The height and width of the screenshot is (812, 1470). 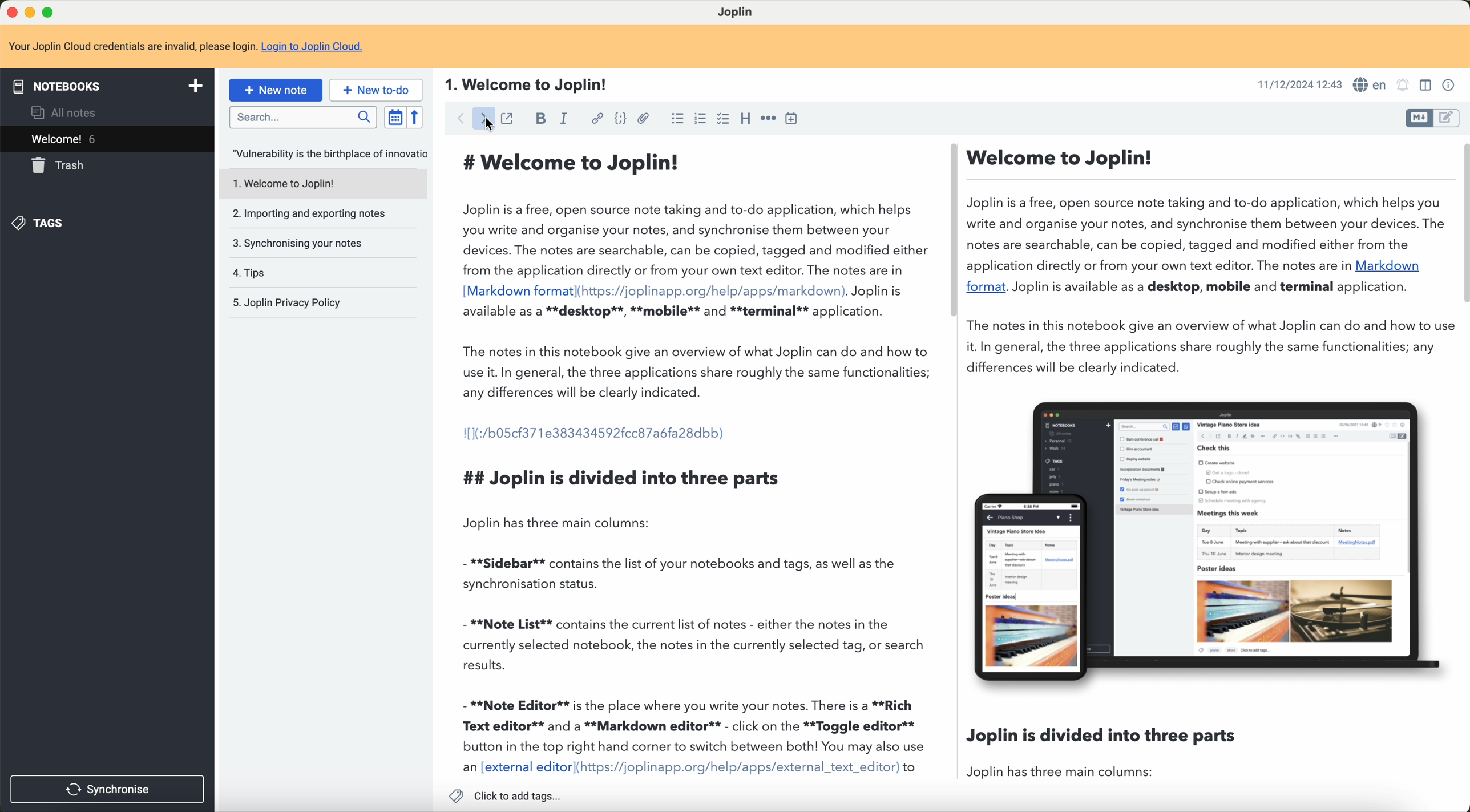 I want to click on - **Note Editor** is the place where you write your notes. There is a **Rich
Text editor** and a **Markdown editor** - click on the **Toggle editor**
button in the top right hand corner to switch between both! You may also use, so click(x=700, y=721).